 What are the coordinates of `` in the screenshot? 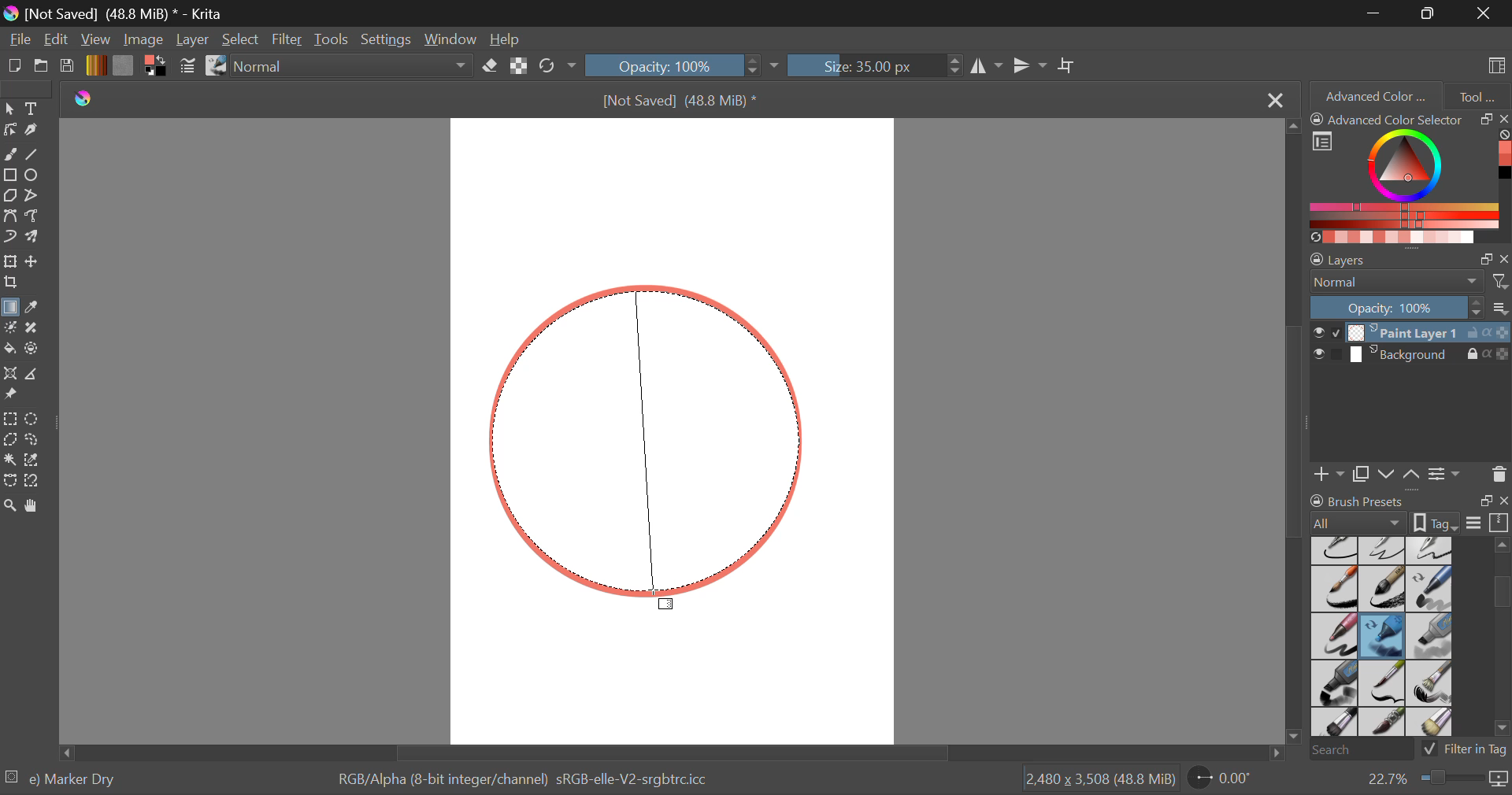 It's located at (57, 41).